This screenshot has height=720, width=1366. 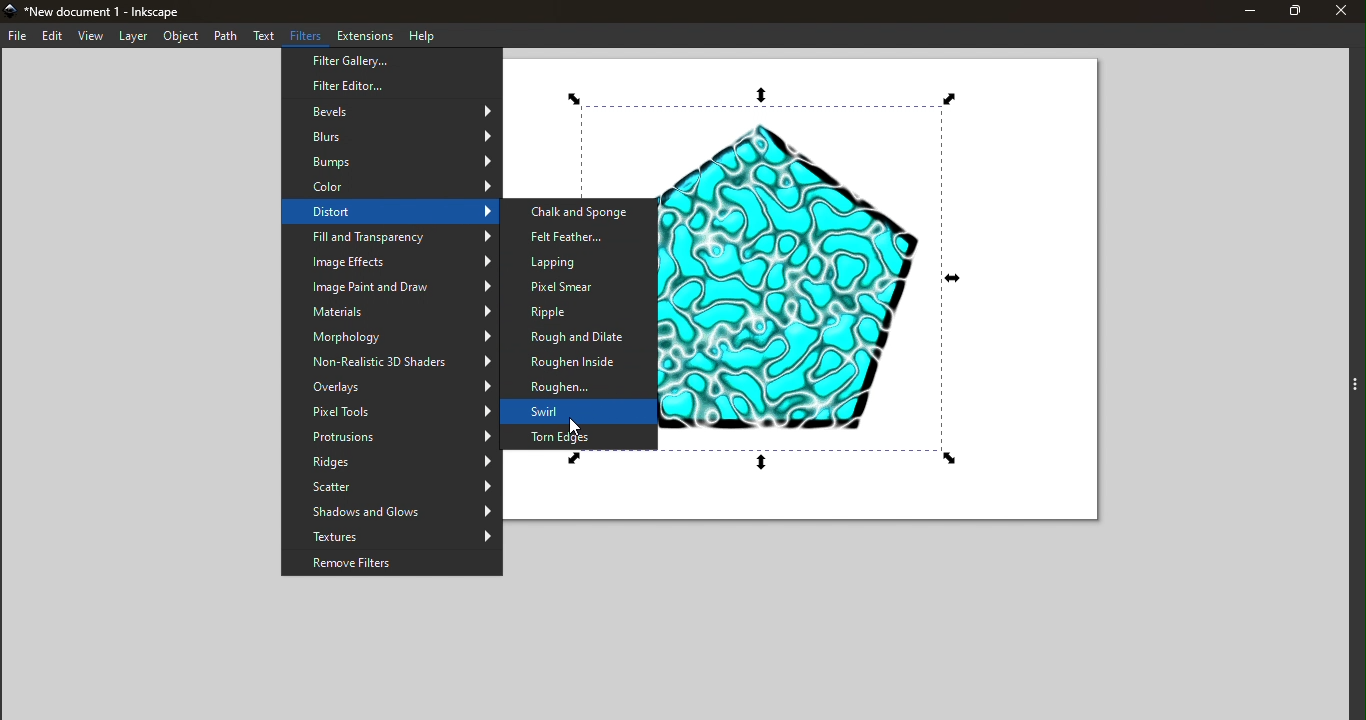 What do you see at coordinates (581, 437) in the screenshot?
I see `Torn Edges` at bounding box center [581, 437].